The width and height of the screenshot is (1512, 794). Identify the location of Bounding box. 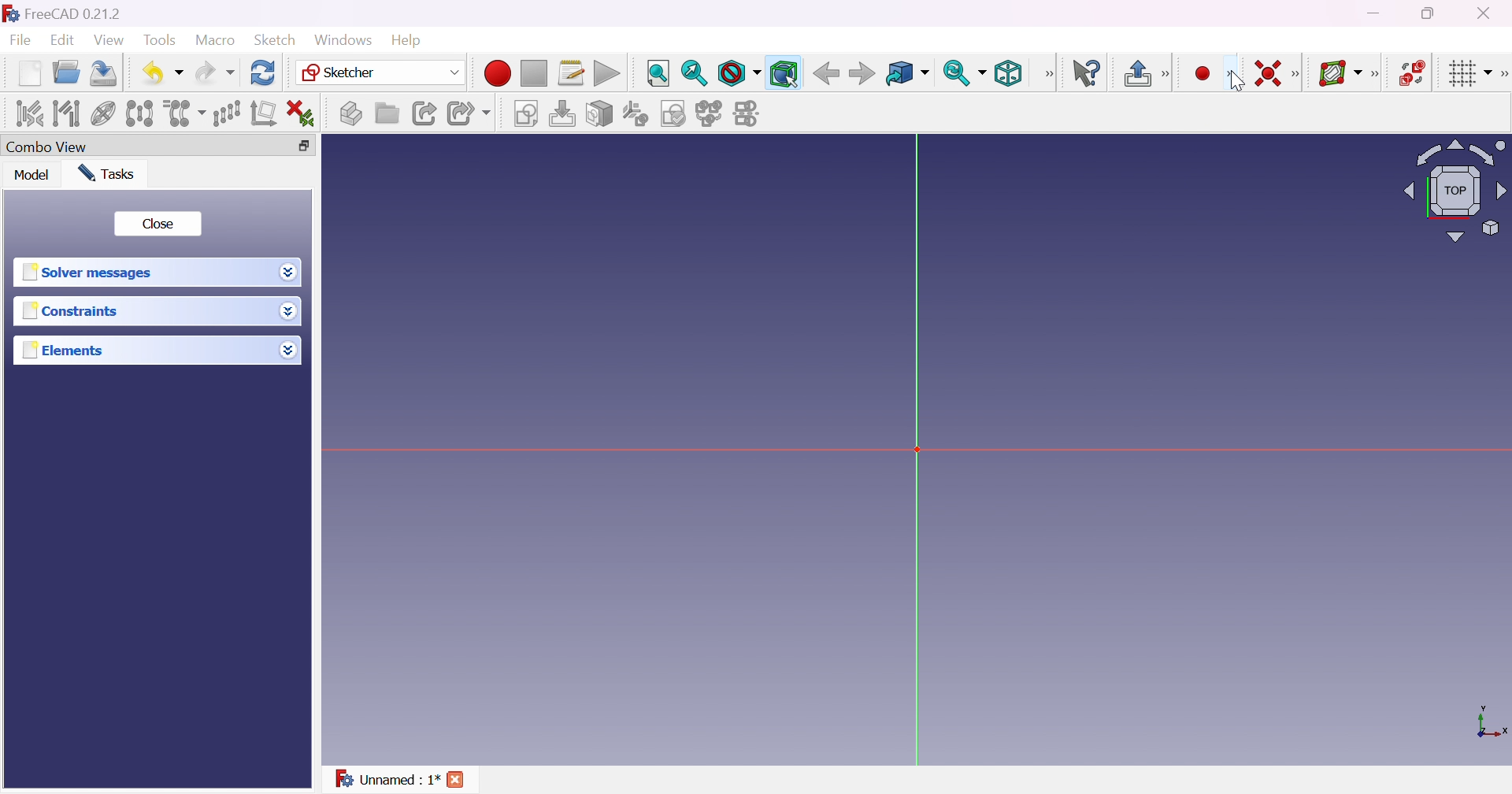
(784, 74).